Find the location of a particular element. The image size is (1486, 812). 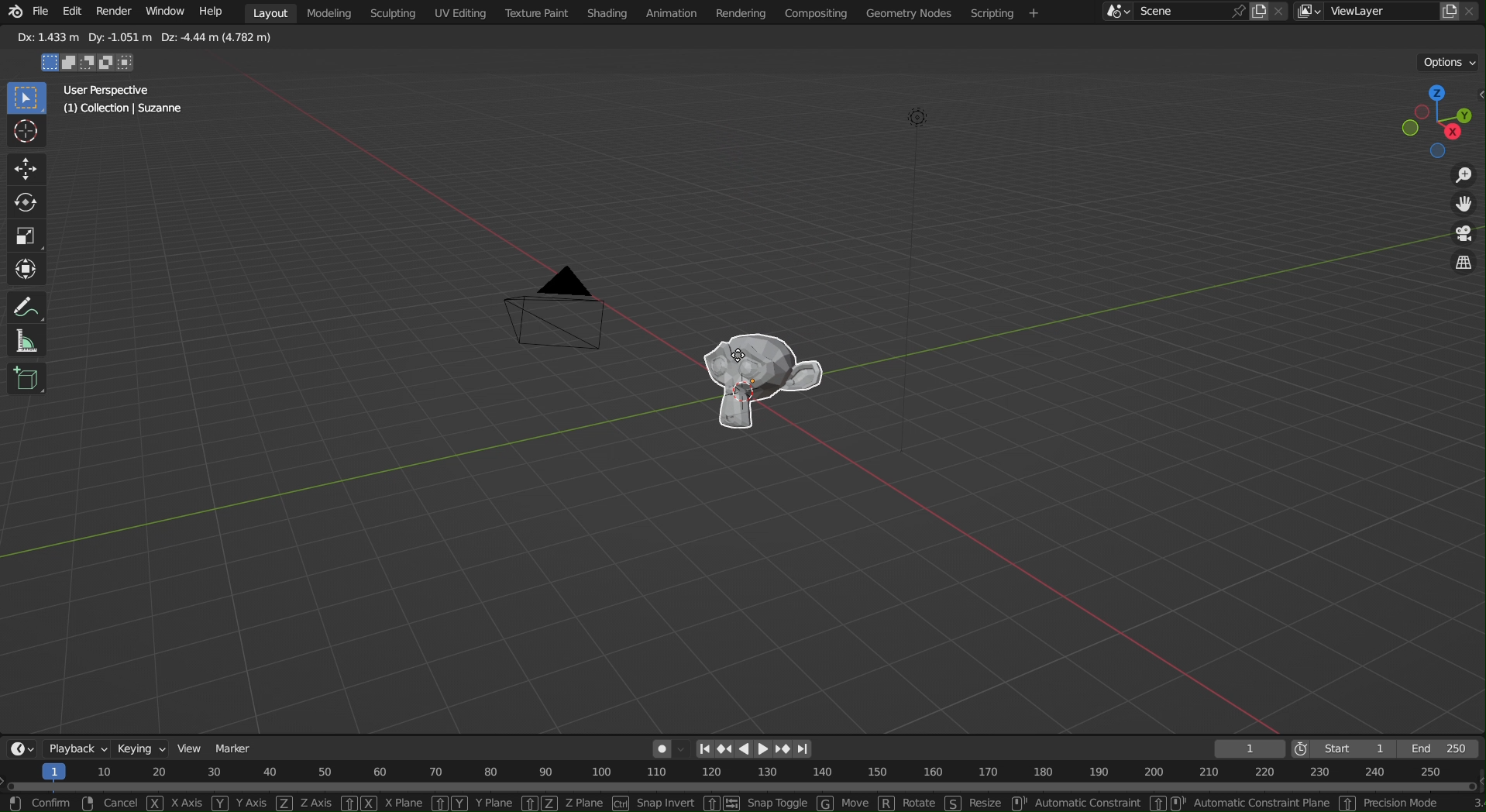

X plane is located at coordinates (405, 803).